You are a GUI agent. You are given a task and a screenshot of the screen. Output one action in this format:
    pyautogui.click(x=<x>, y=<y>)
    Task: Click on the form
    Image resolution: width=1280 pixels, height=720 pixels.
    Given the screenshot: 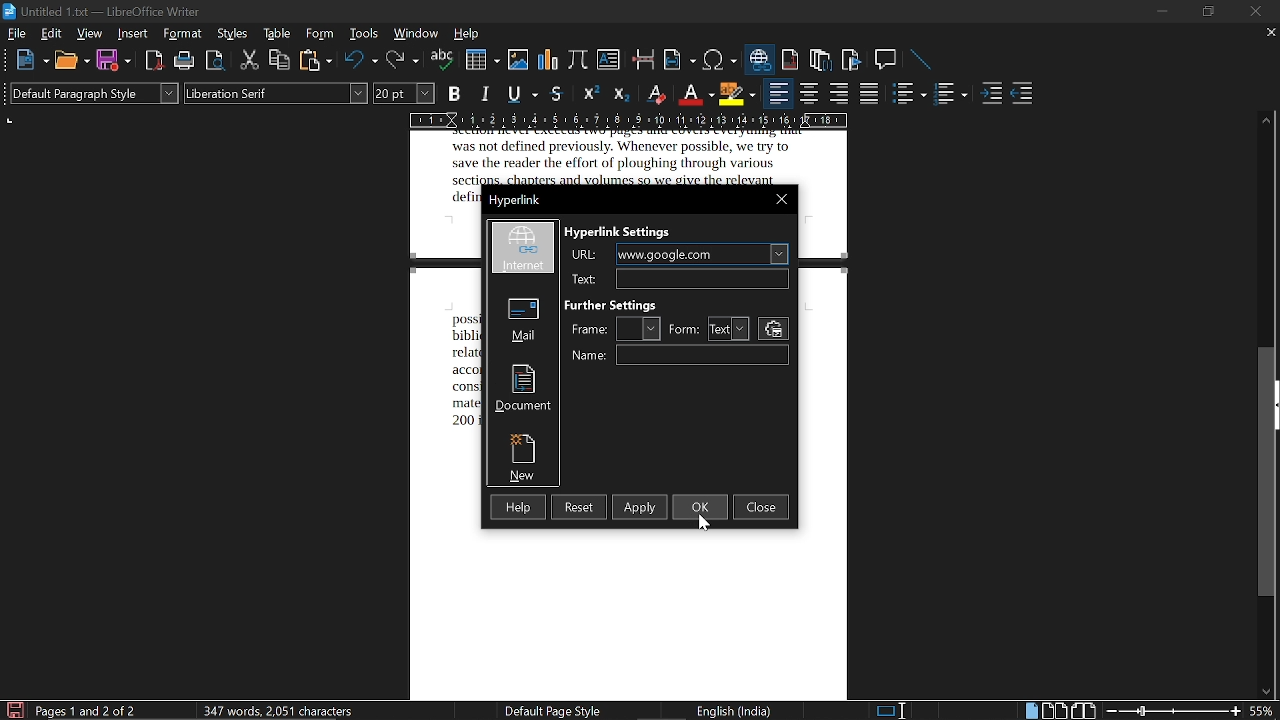 What is the action you would take?
    pyautogui.click(x=685, y=329)
    